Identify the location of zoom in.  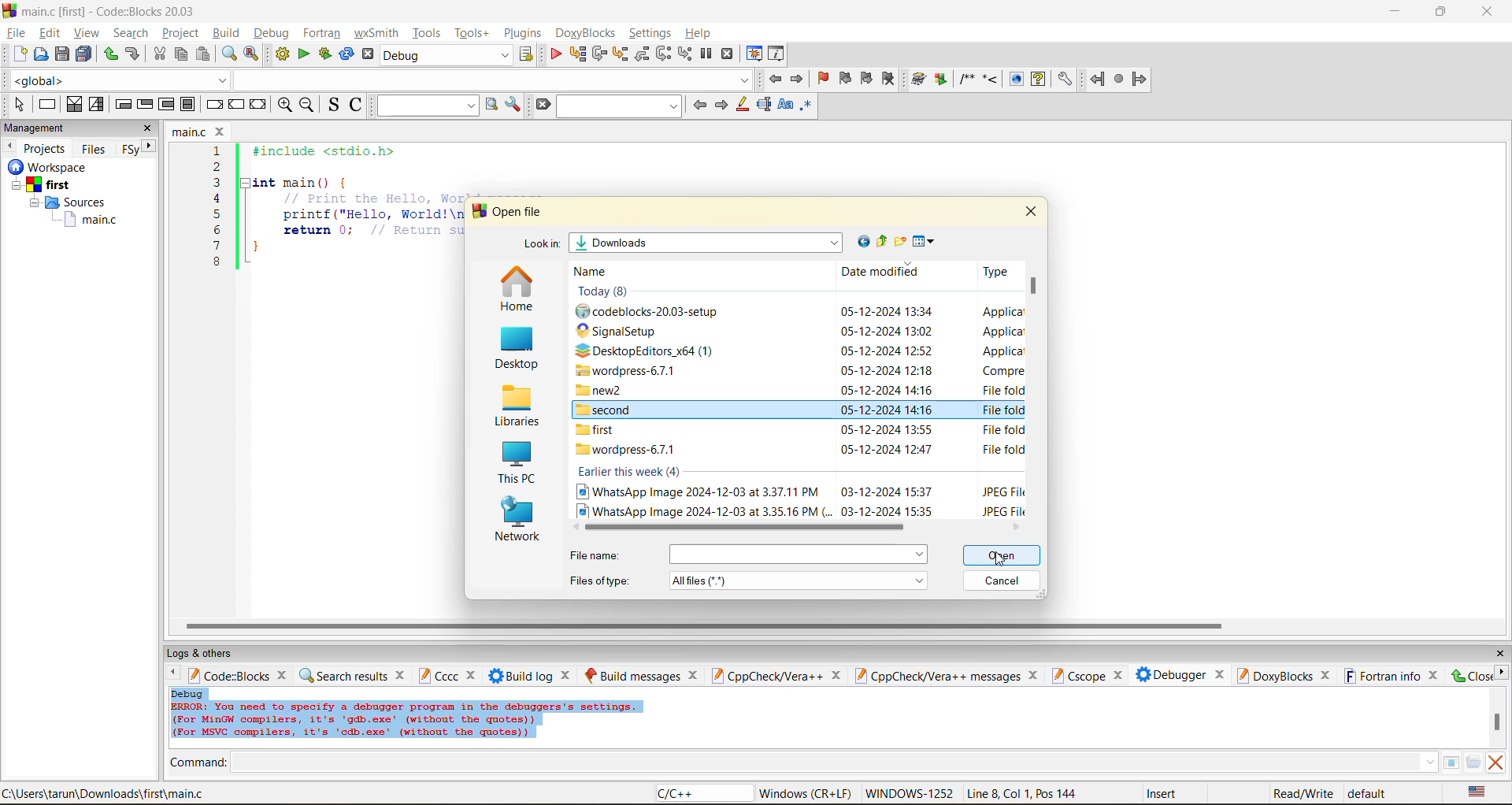
(286, 106).